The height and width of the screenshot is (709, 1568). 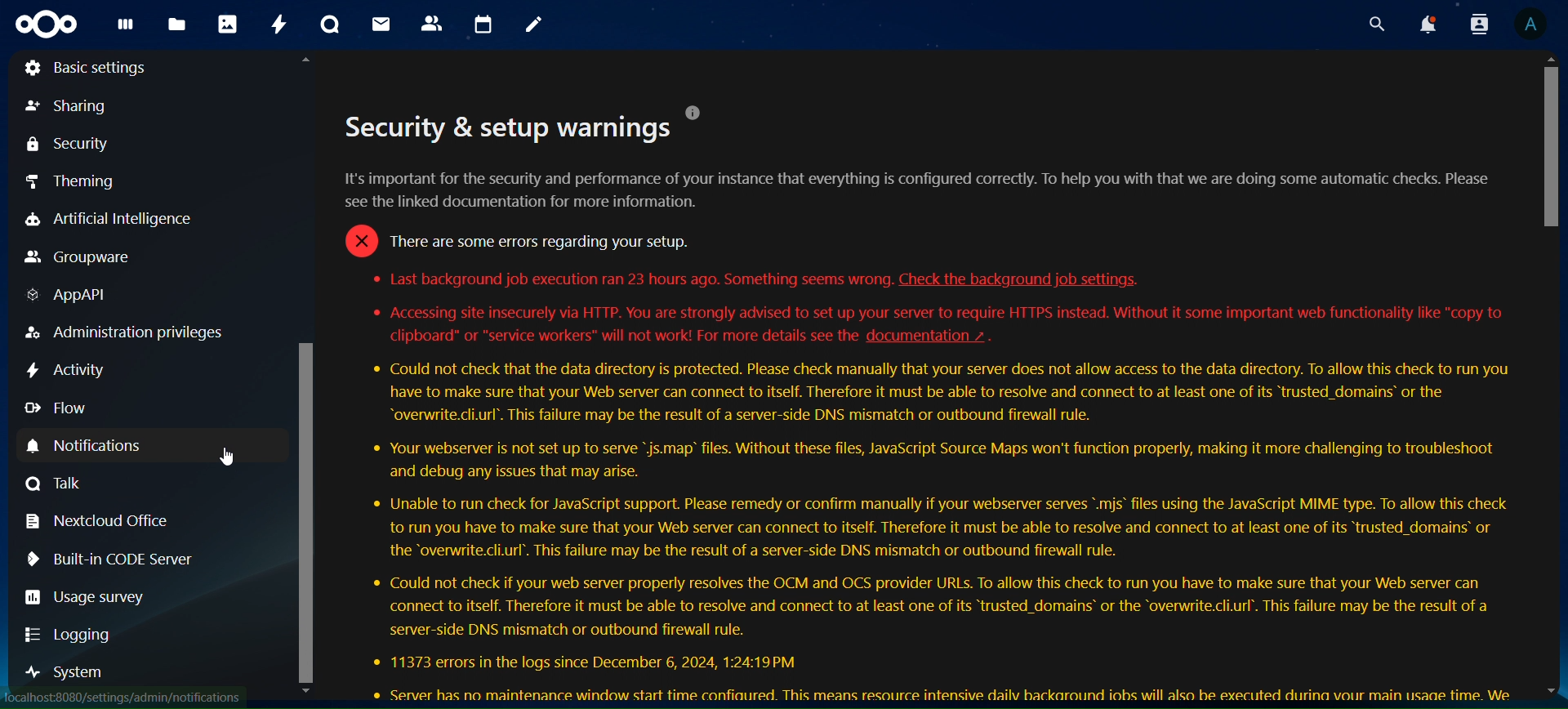 I want to click on mail, so click(x=379, y=25).